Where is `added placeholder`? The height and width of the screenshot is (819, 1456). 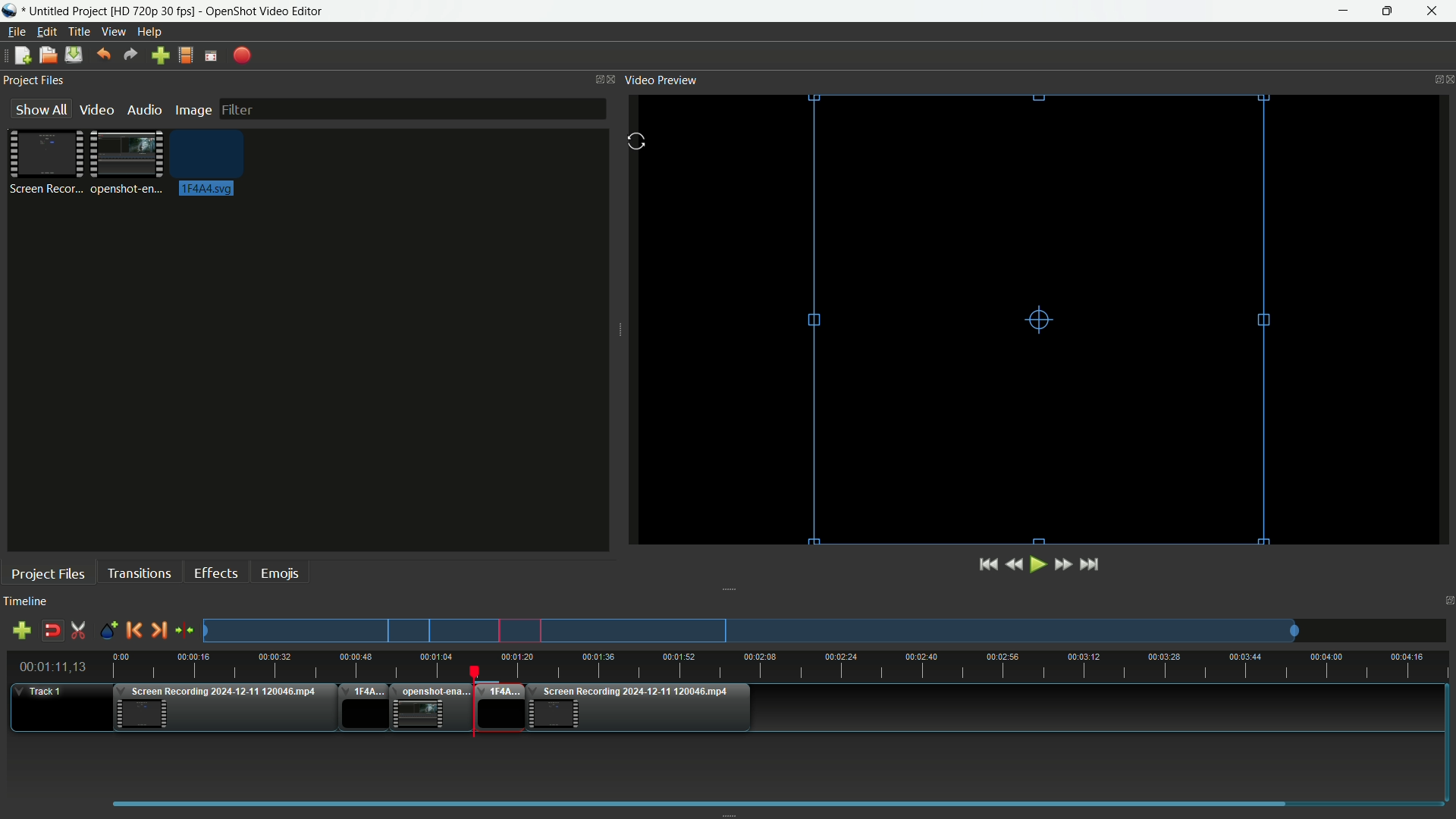 added placeholder is located at coordinates (501, 708).